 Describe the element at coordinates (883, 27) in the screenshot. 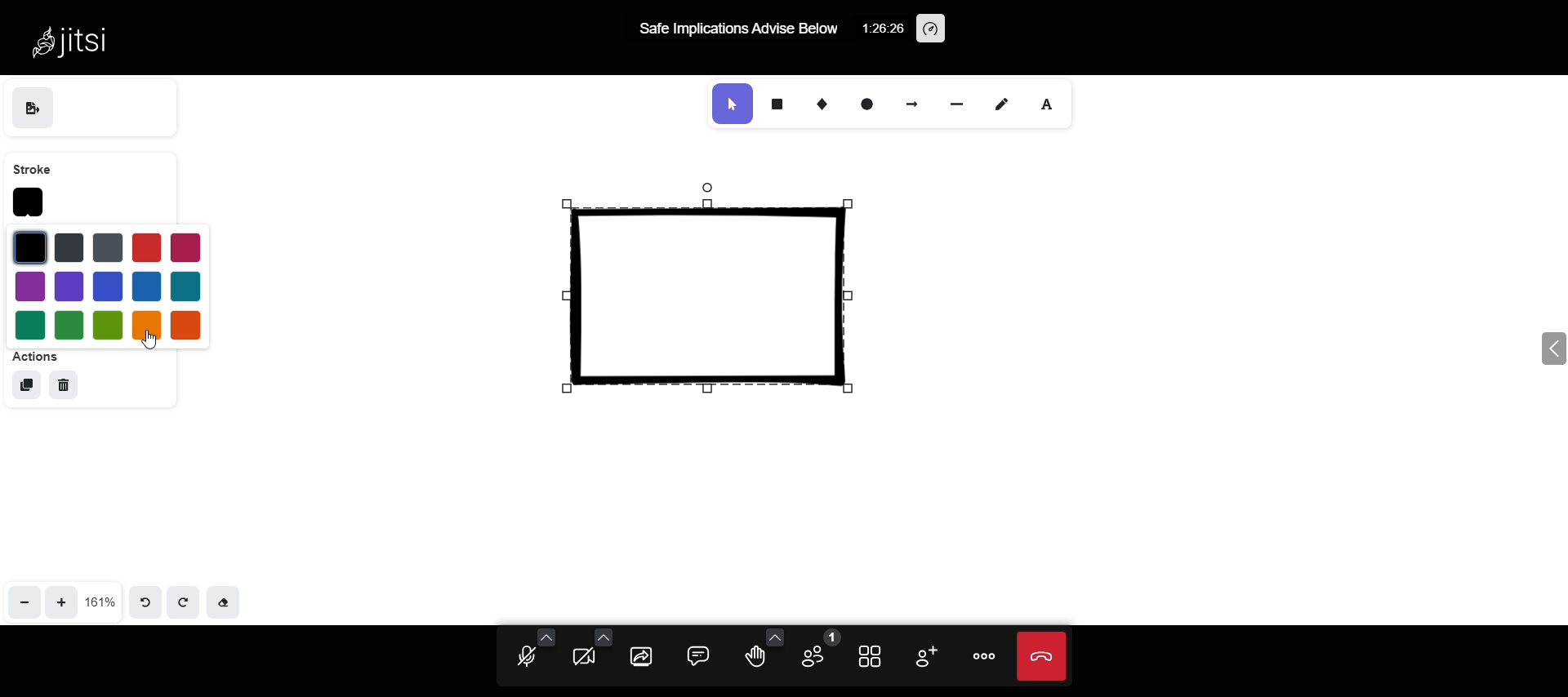

I see `1:26:26` at that location.